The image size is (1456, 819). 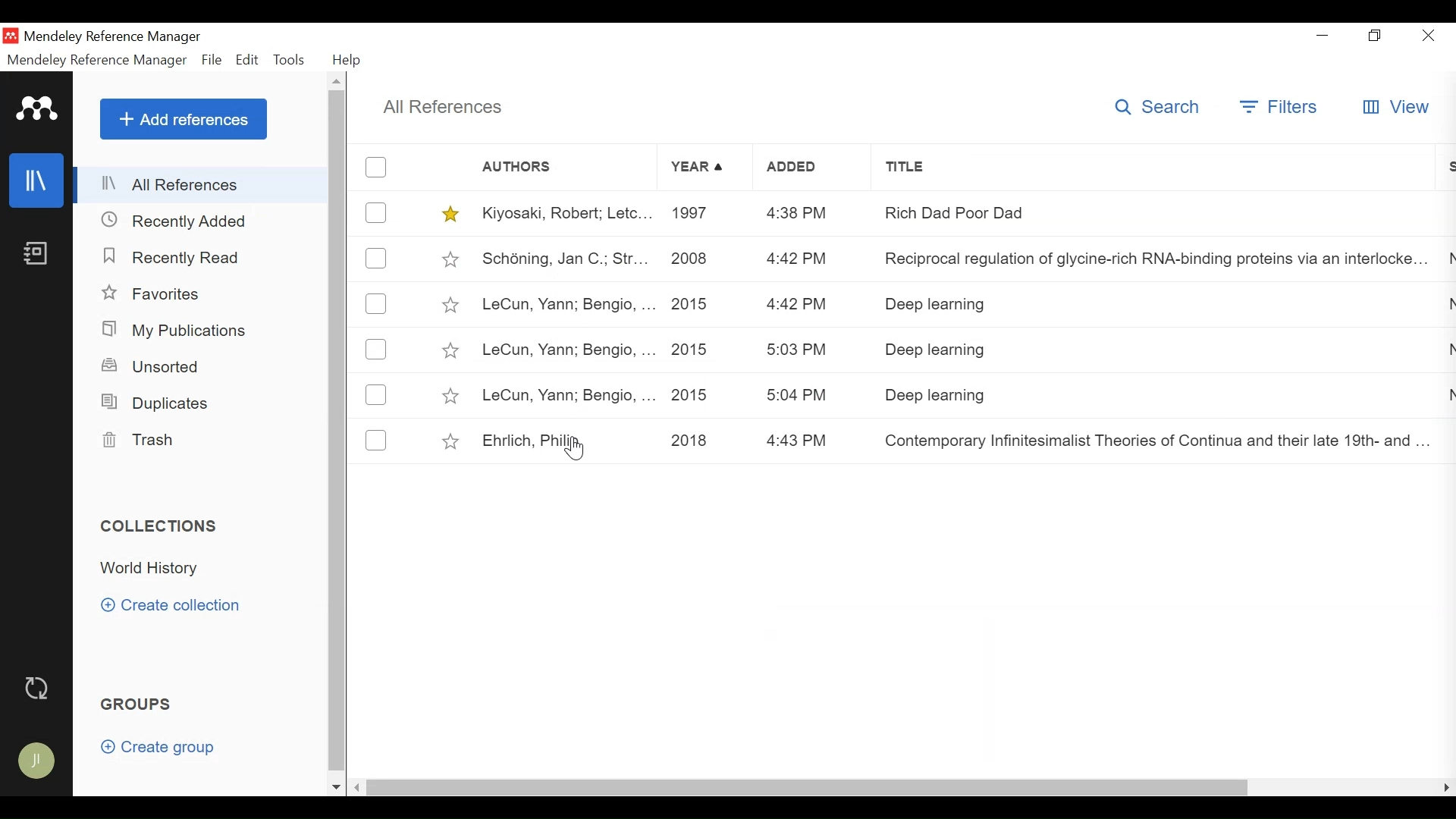 What do you see at coordinates (447, 214) in the screenshot?
I see `(un)select favorite` at bounding box center [447, 214].